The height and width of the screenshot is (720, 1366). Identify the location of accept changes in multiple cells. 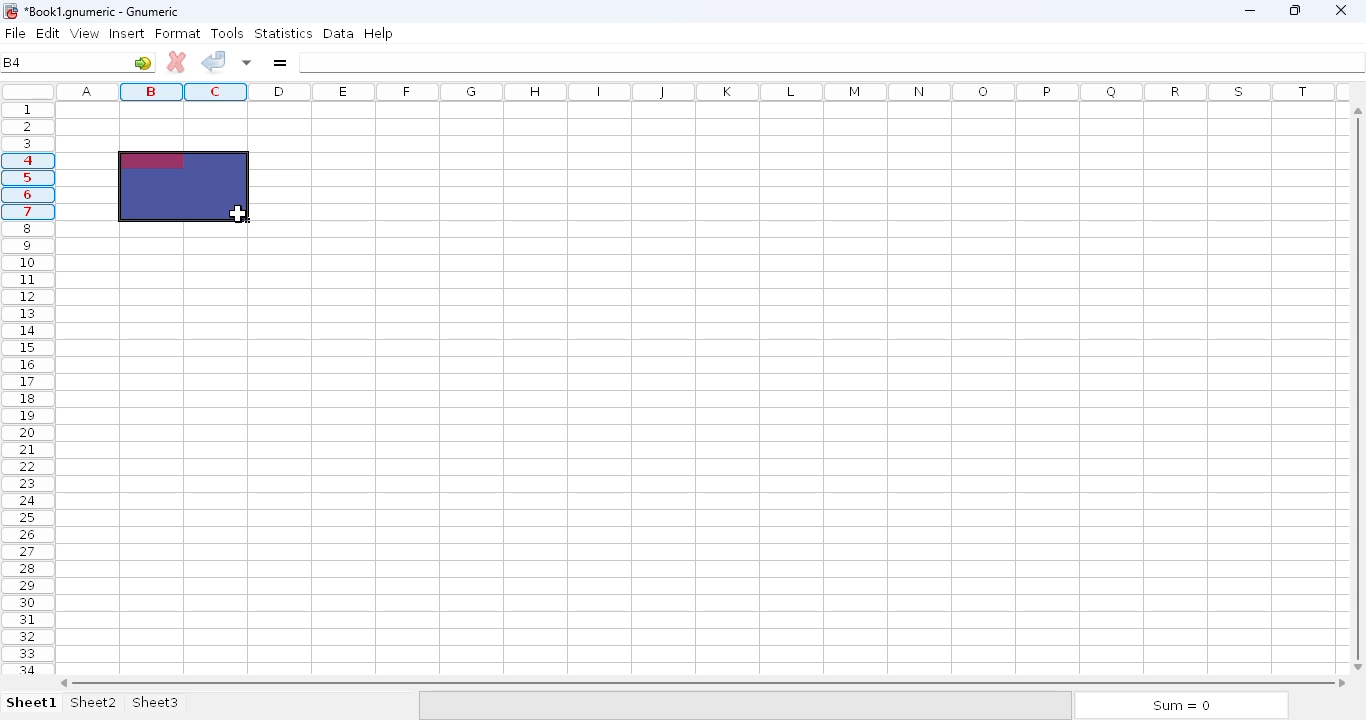
(247, 62).